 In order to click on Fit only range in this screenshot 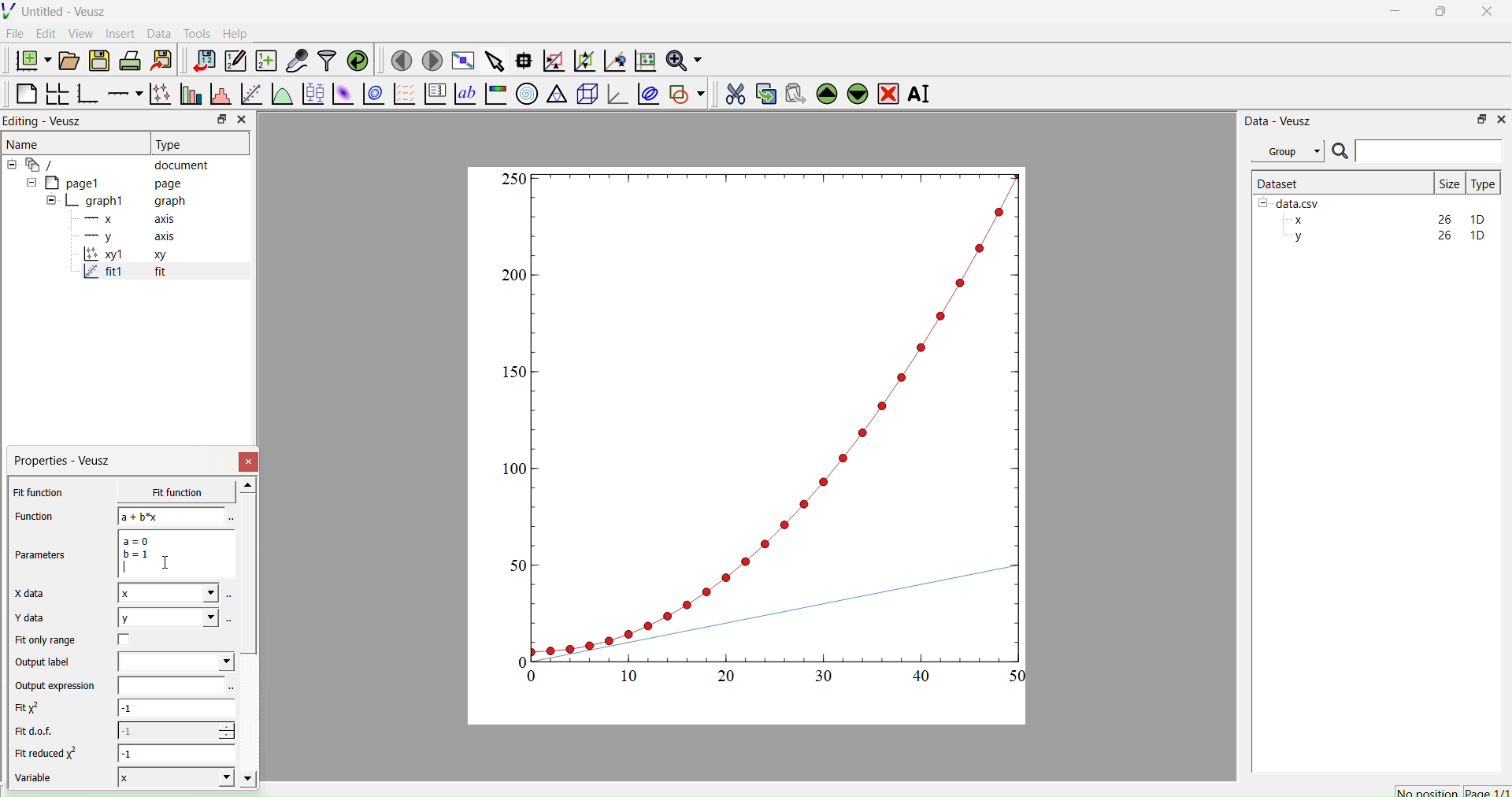, I will do `click(46, 640)`.